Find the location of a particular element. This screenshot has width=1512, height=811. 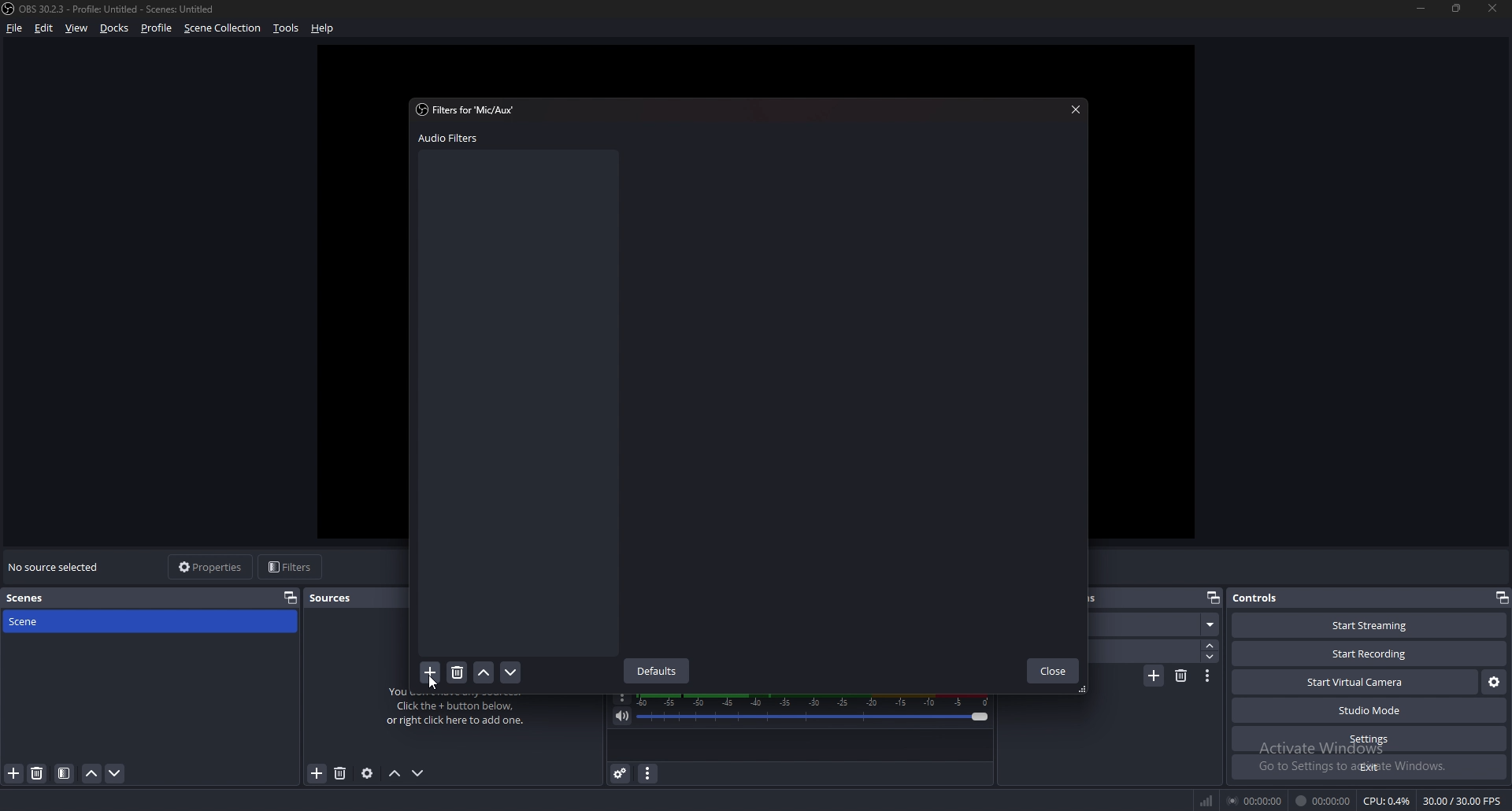

decrease duration is located at coordinates (1212, 657).